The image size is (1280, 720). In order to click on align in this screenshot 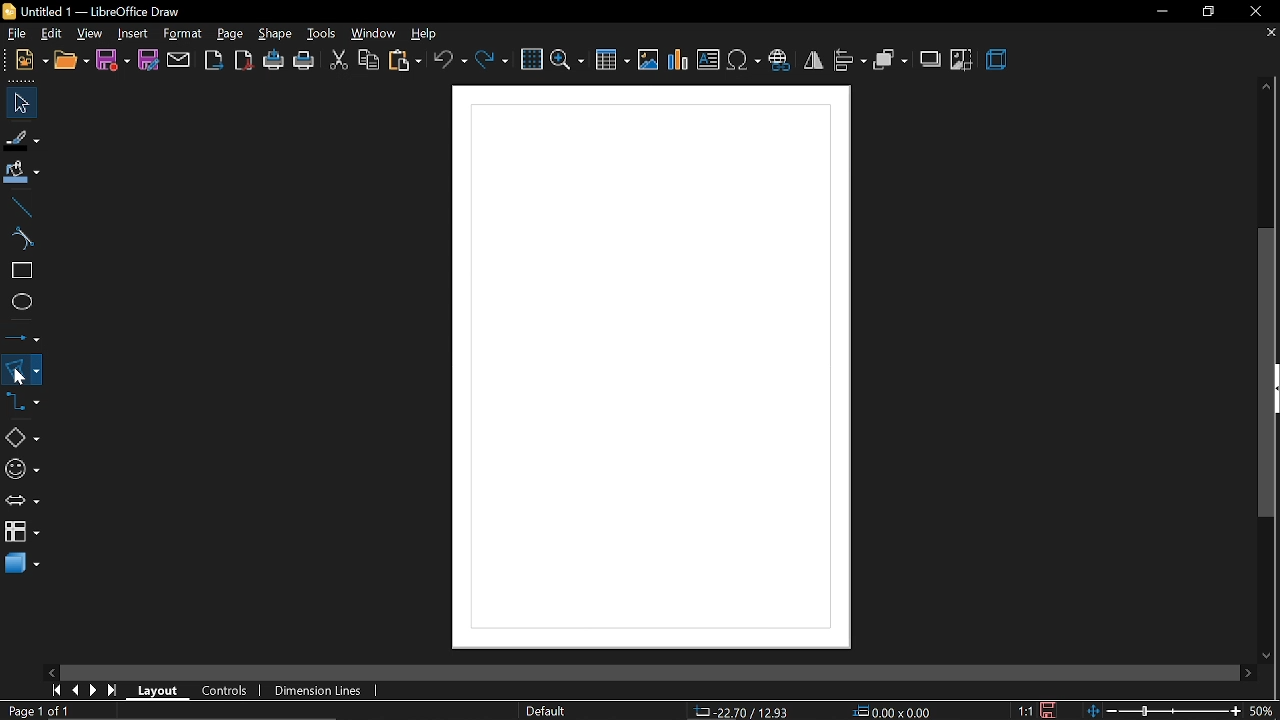, I will do `click(849, 59)`.